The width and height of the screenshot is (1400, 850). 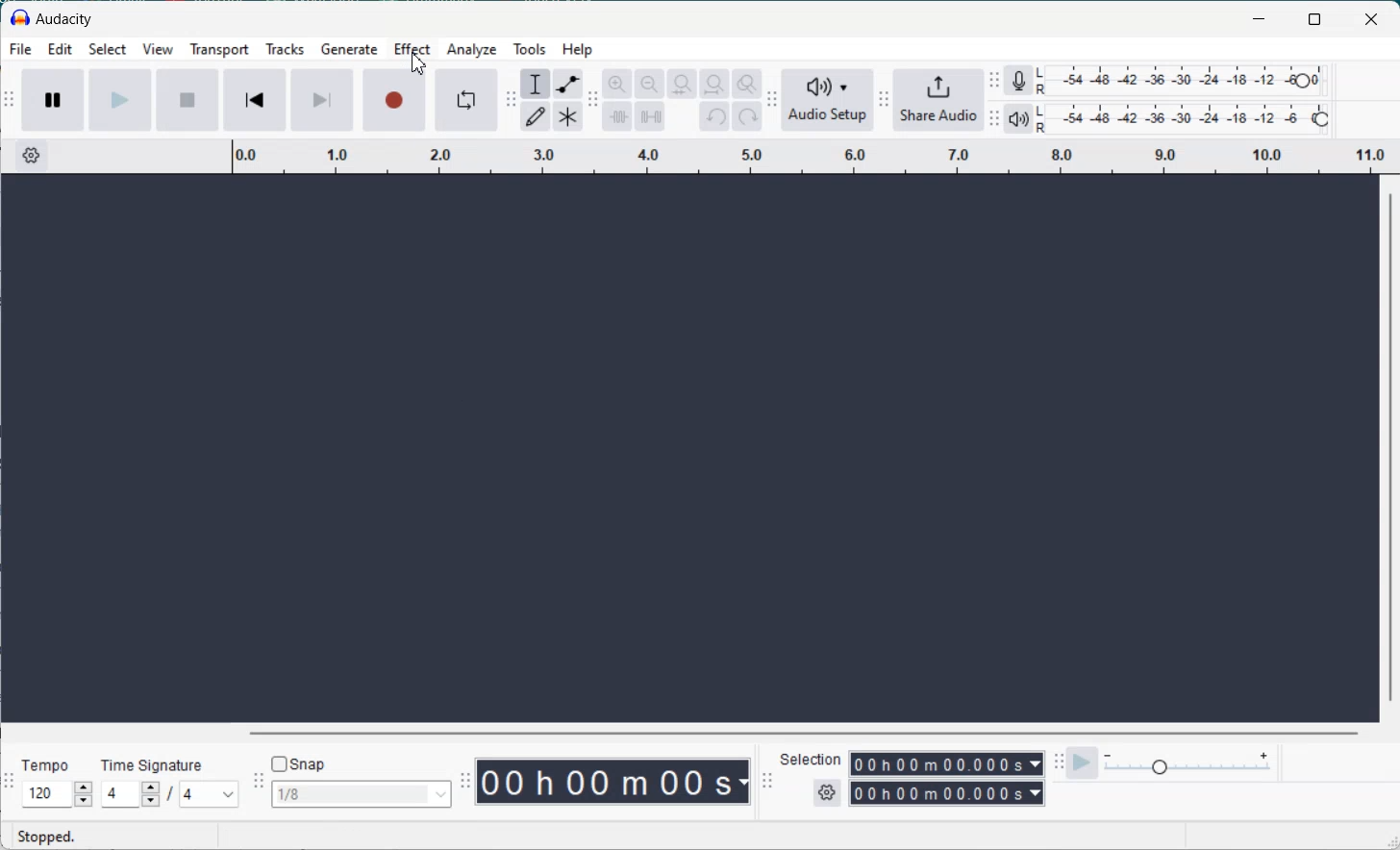 What do you see at coordinates (52, 102) in the screenshot?
I see `Pause` at bounding box center [52, 102].